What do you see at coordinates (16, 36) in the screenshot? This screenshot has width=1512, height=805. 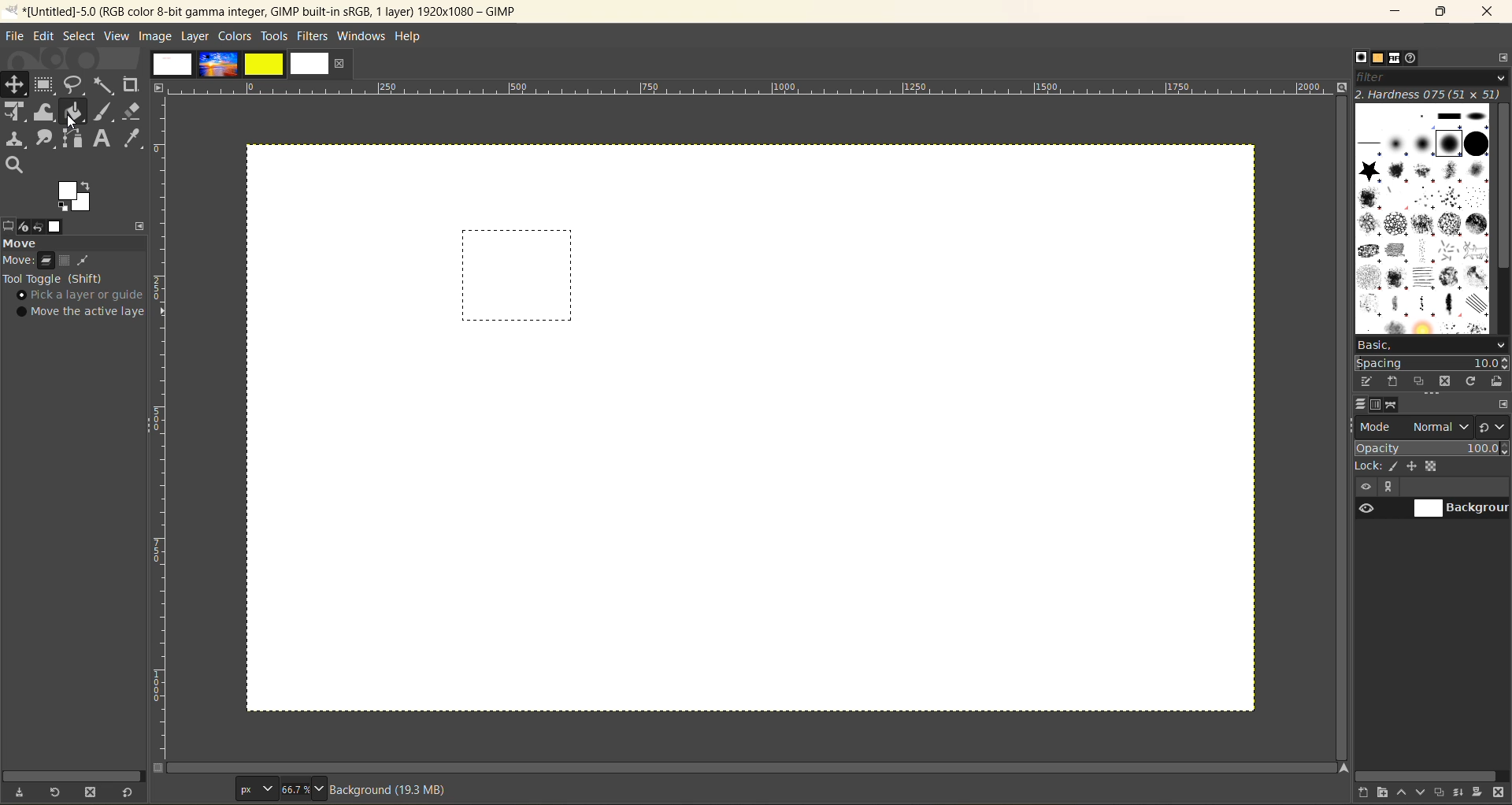 I see `file` at bounding box center [16, 36].